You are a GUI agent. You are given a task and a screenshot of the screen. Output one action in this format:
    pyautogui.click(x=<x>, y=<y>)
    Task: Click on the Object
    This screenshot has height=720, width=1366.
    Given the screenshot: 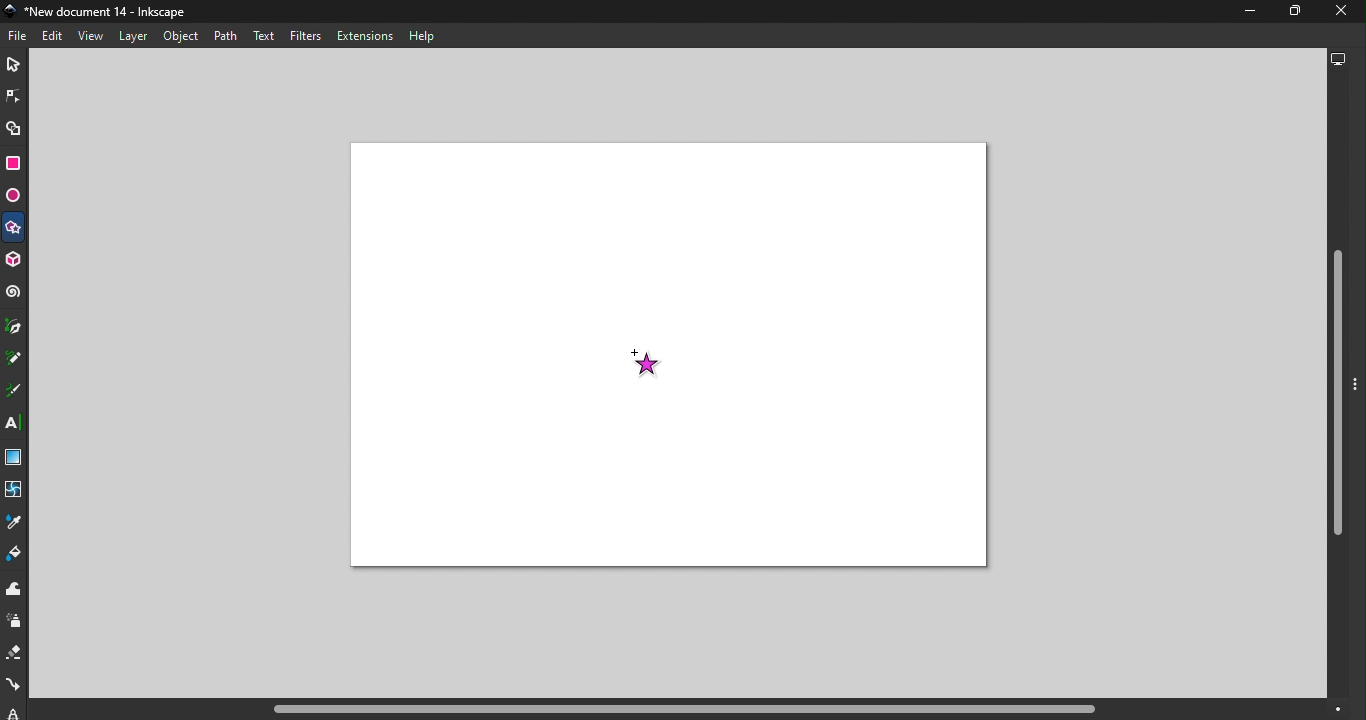 What is the action you would take?
    pyautogui.click(x=181, y=35)
    